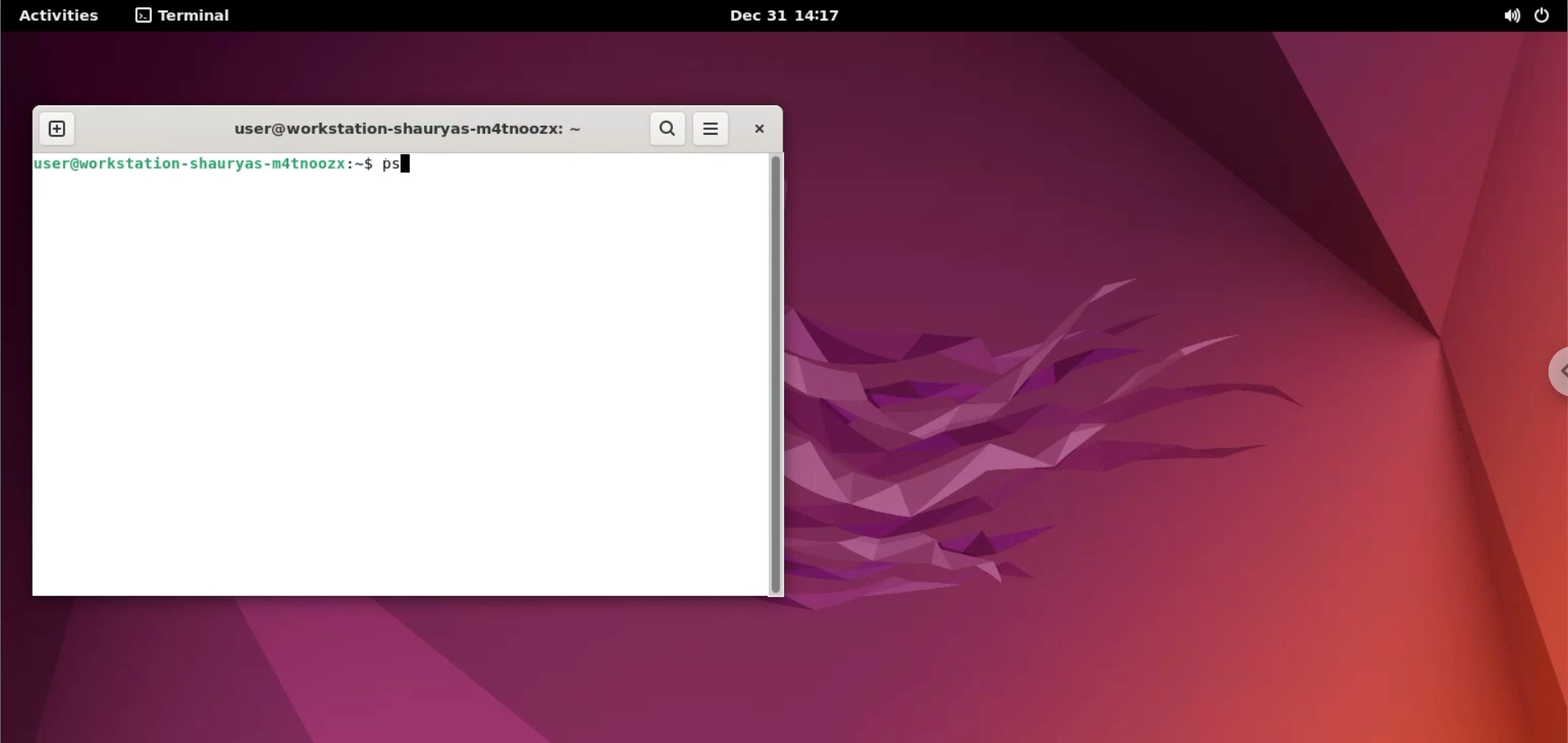  What do you see at coordinates (666, 130) in the screenshot?
I see `search` at bounding box center [666, 130].